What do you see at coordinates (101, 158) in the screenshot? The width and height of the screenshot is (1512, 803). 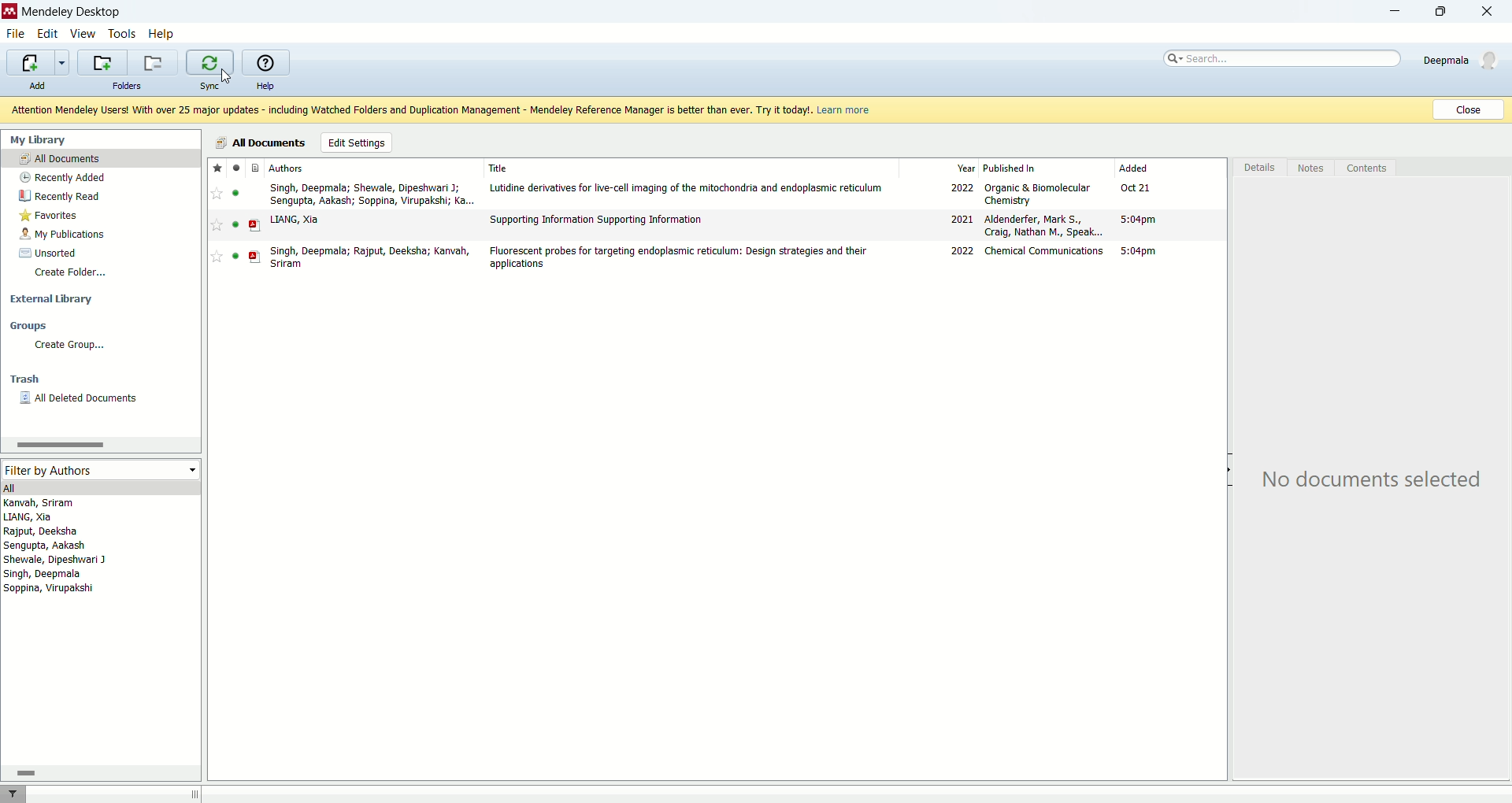 I see `all documents` at bounding box center [101, 158].